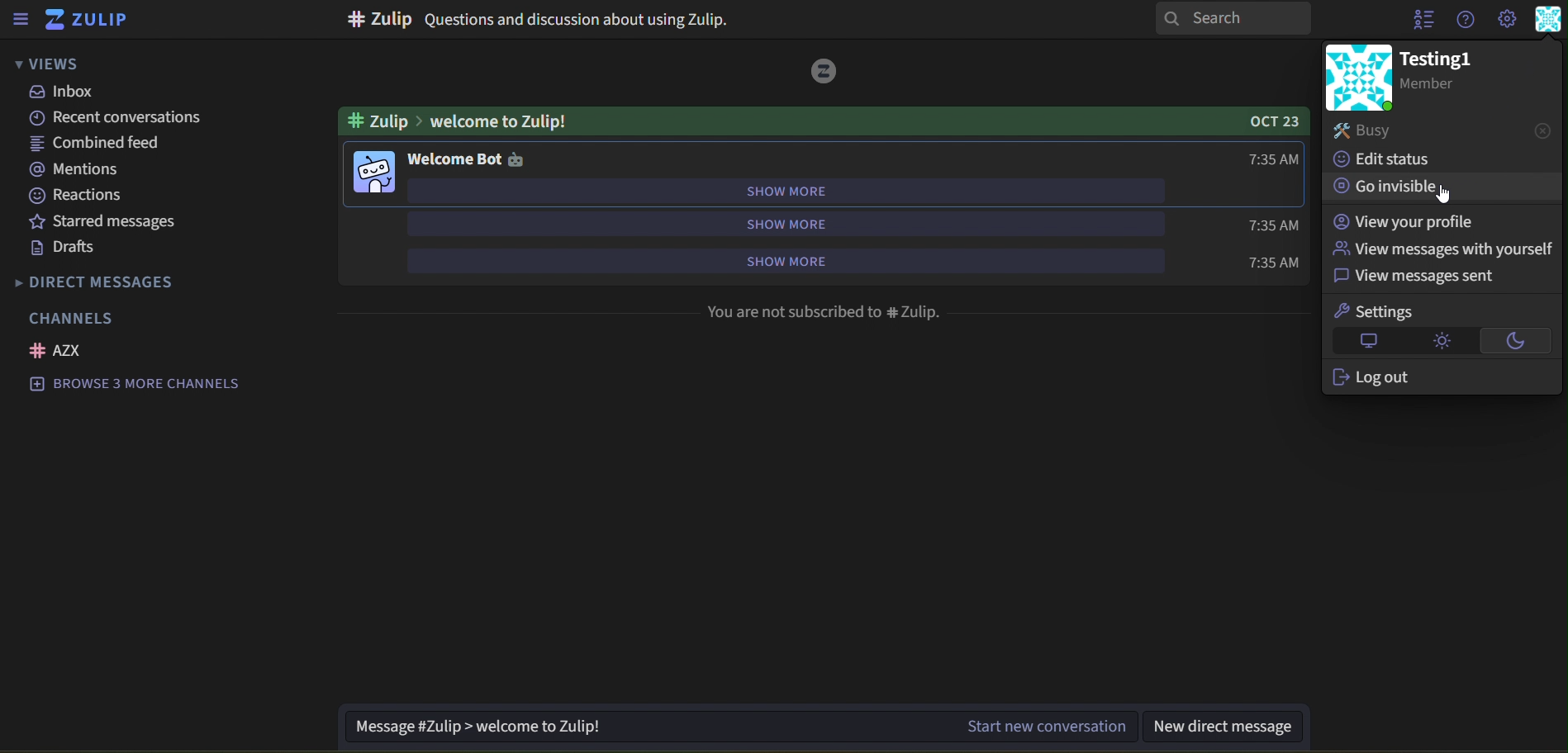  I want to click on OCT 23, so click(1271, 122).